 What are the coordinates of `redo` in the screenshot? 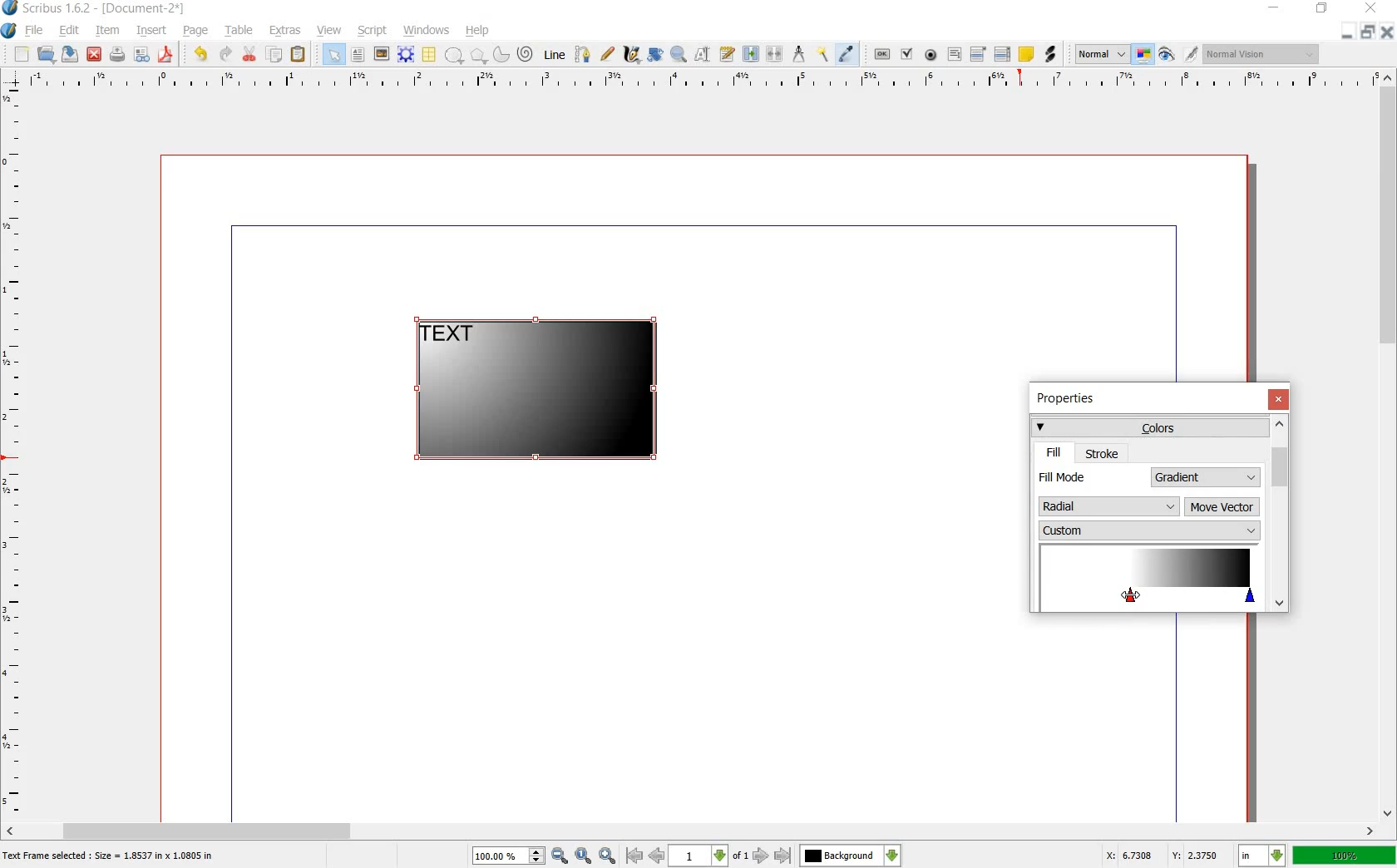 It's located at (225, 55).